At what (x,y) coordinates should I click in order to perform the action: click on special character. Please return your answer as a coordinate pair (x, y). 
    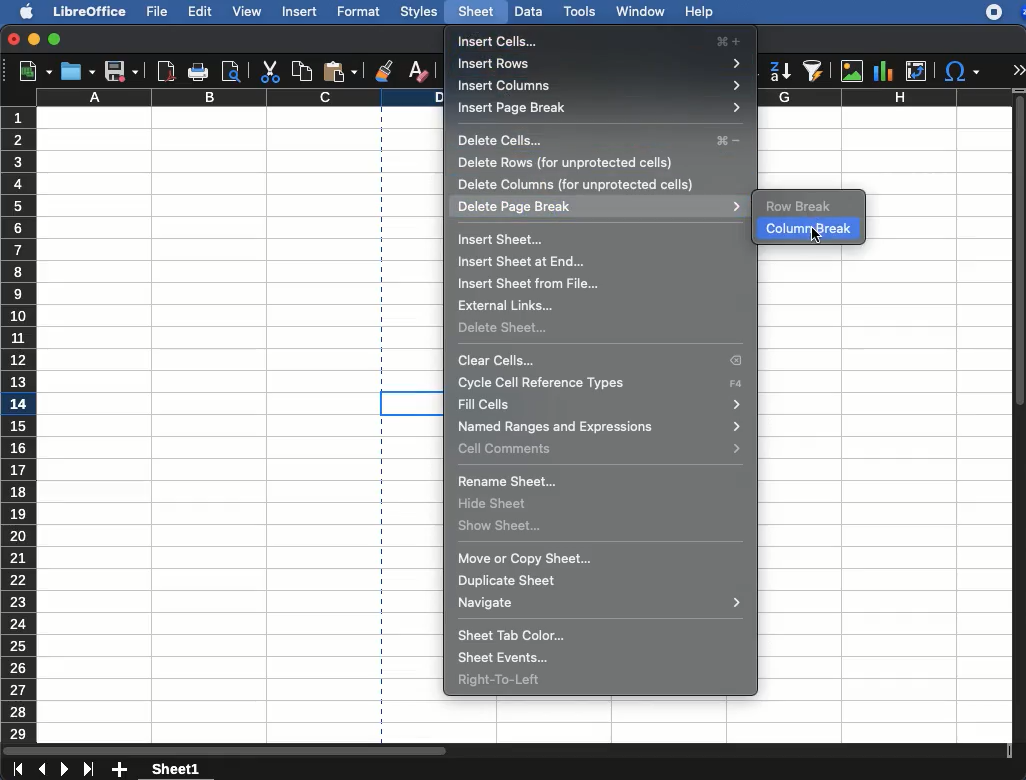
    Looking at the image, I should click on (962, 71).